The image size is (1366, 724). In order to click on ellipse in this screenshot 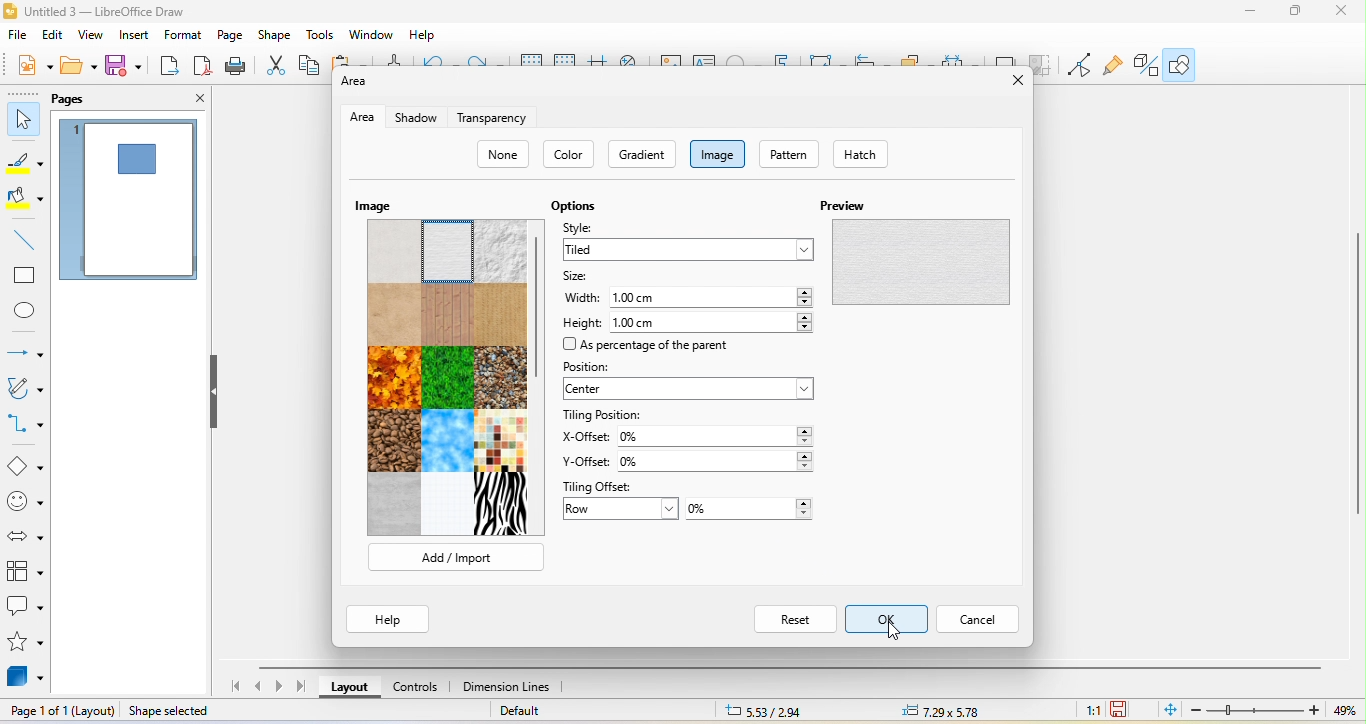, I will do `click(26, 312)`.